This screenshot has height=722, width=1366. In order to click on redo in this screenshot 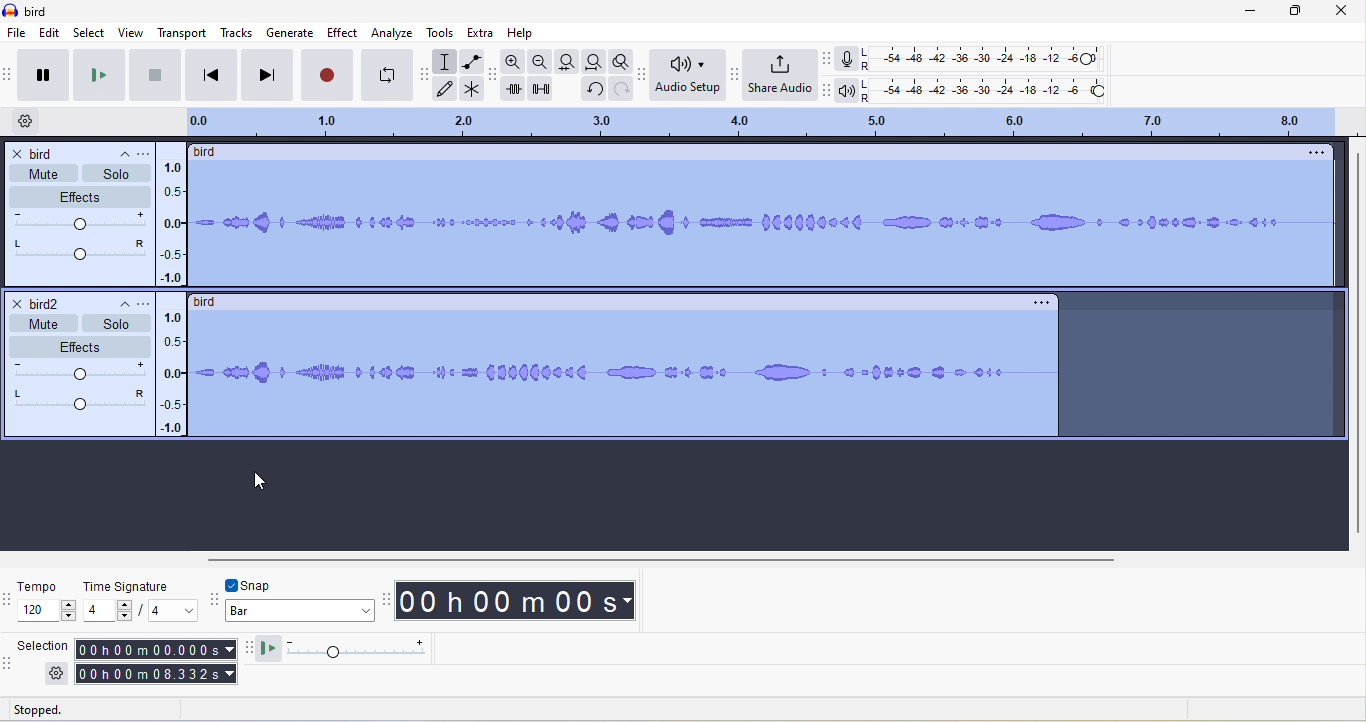, I will do `click(623, 91)`.